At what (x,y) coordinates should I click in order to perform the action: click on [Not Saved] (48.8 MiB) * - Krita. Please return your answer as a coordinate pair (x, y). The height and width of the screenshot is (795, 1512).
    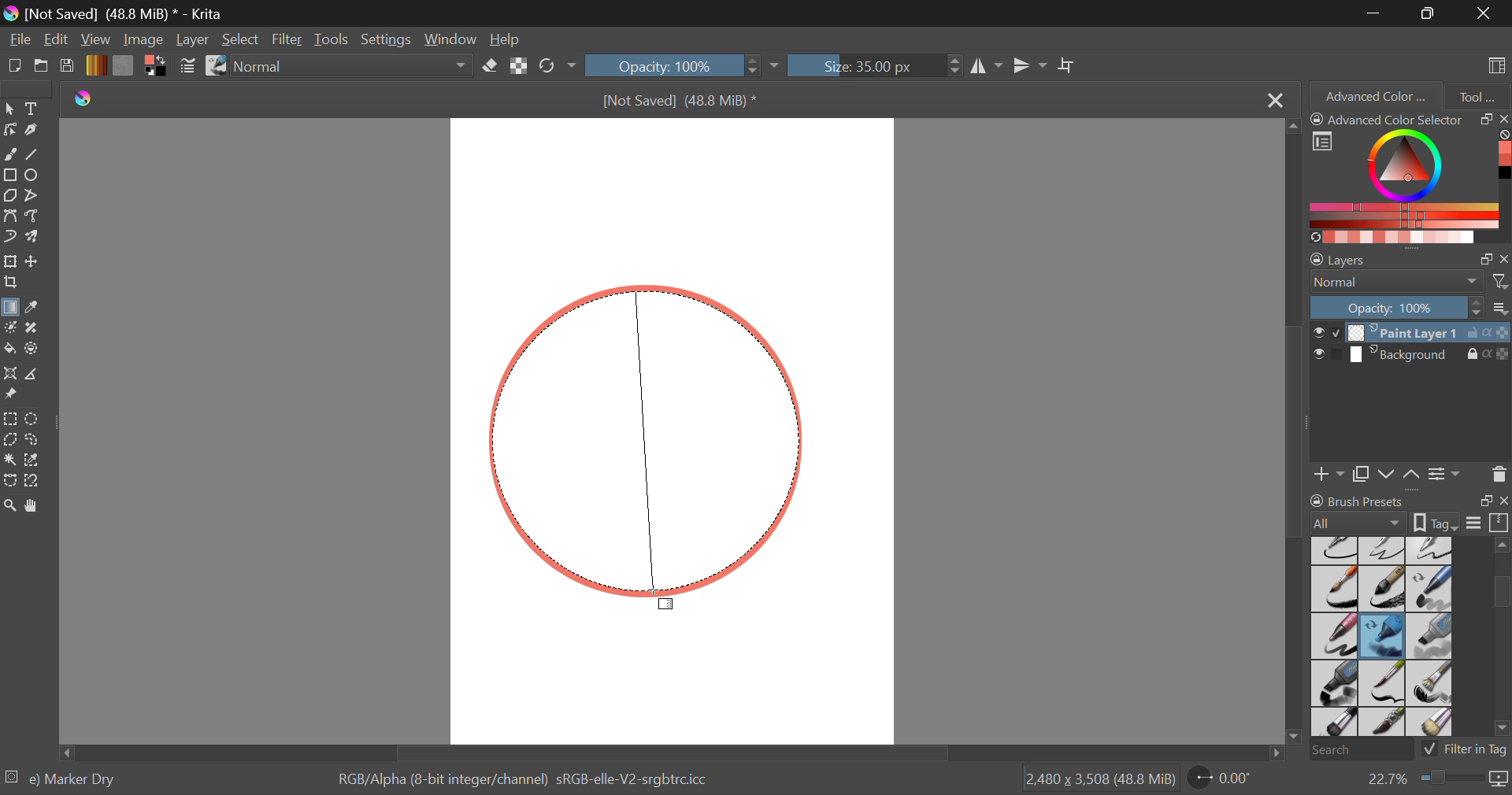
    Looking at the image, I should click on (124, 14).